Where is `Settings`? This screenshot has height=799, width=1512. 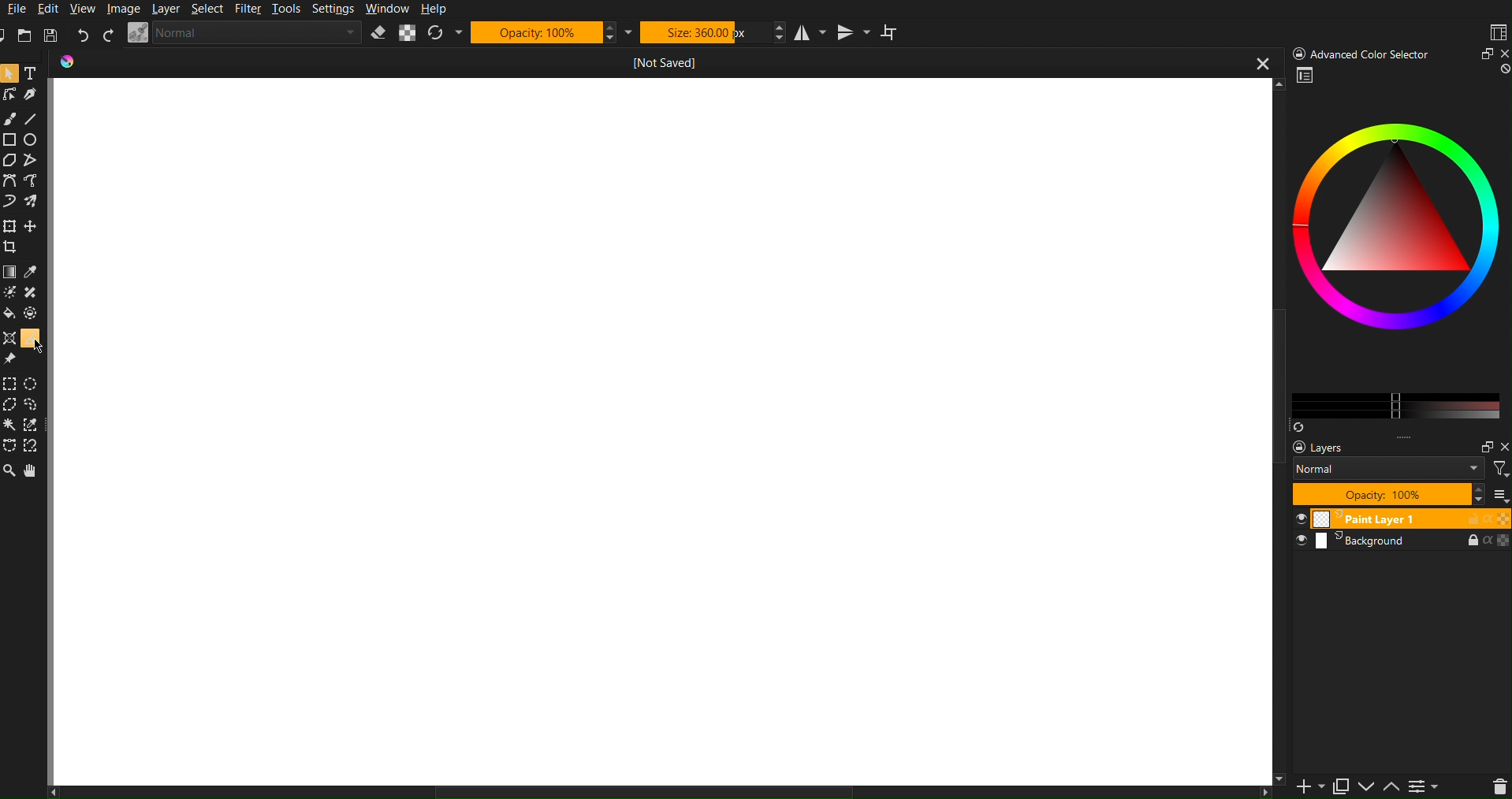 Settings is located at coordinates (333, 10).